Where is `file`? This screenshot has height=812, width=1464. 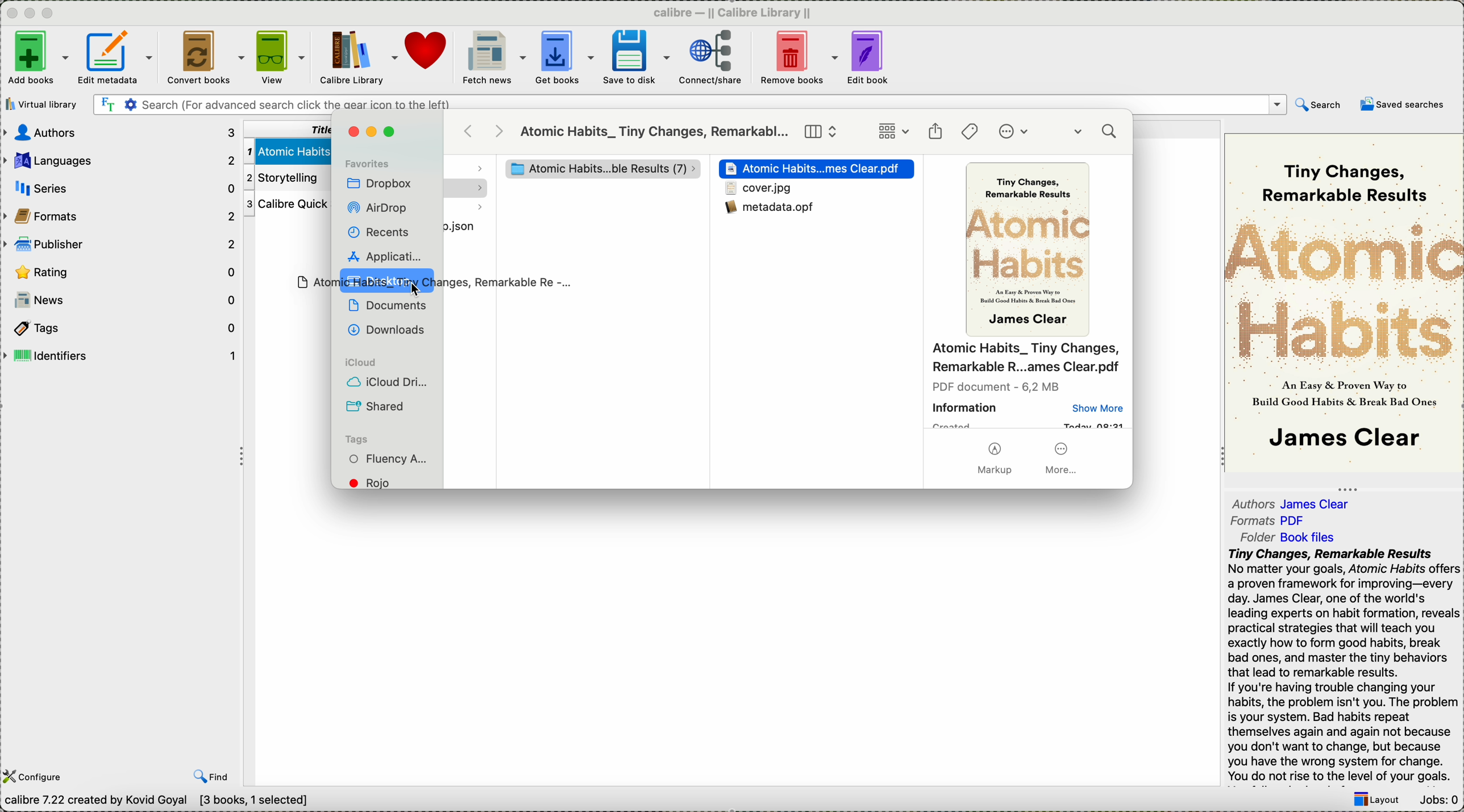
file is located at coordinates (758, 189).